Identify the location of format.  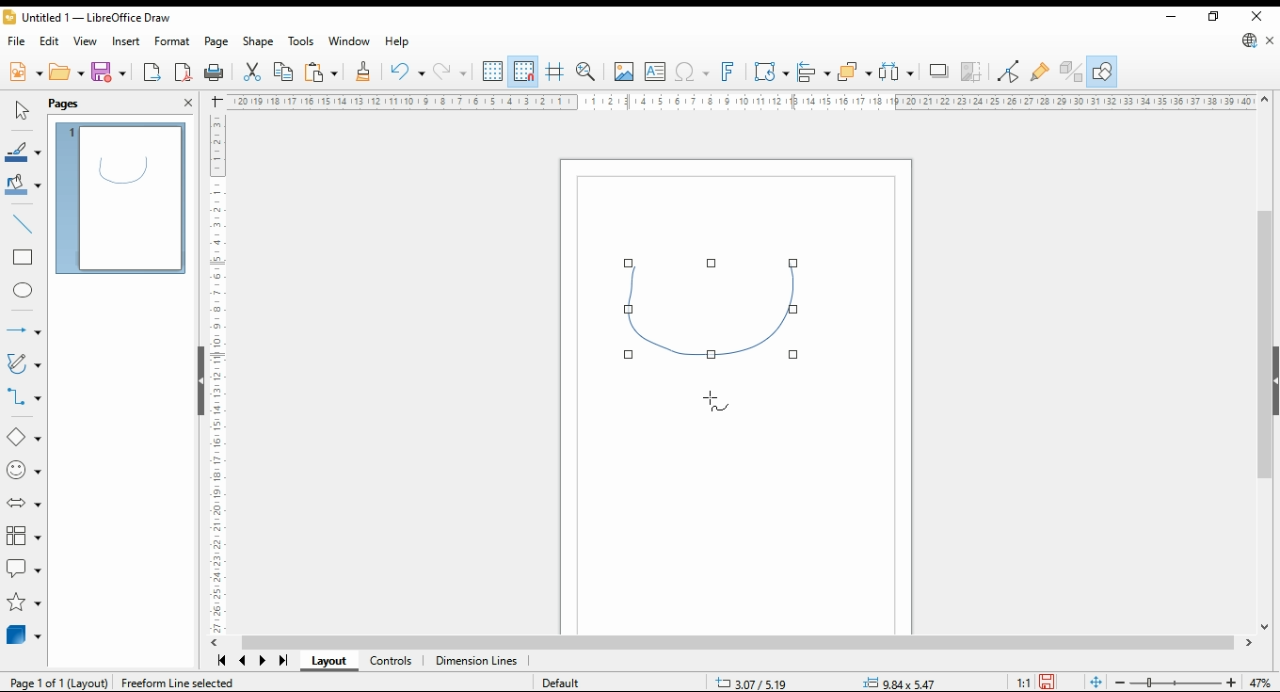
(172, 41).